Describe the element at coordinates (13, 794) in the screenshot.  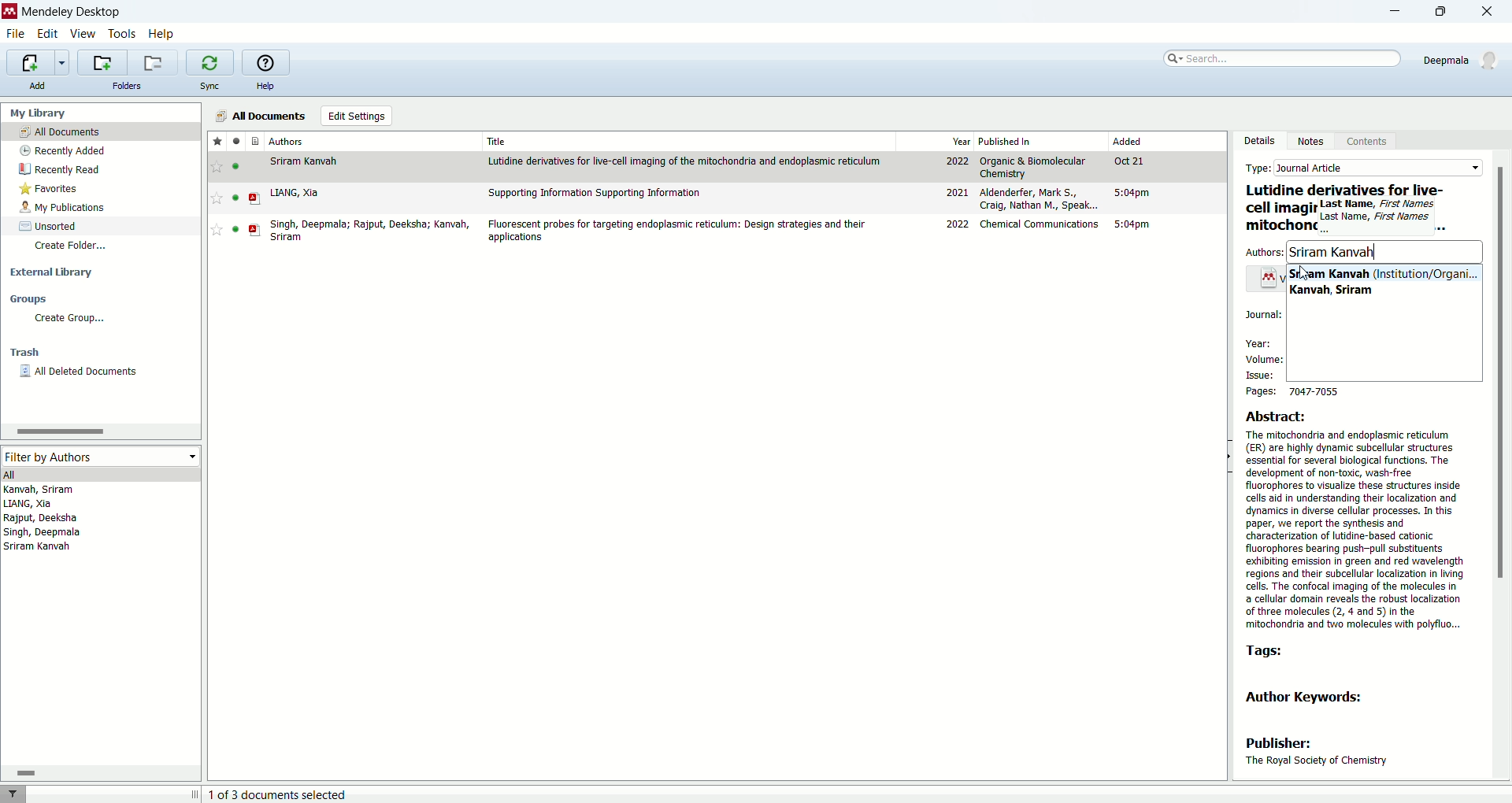
I see `filter` at that location.